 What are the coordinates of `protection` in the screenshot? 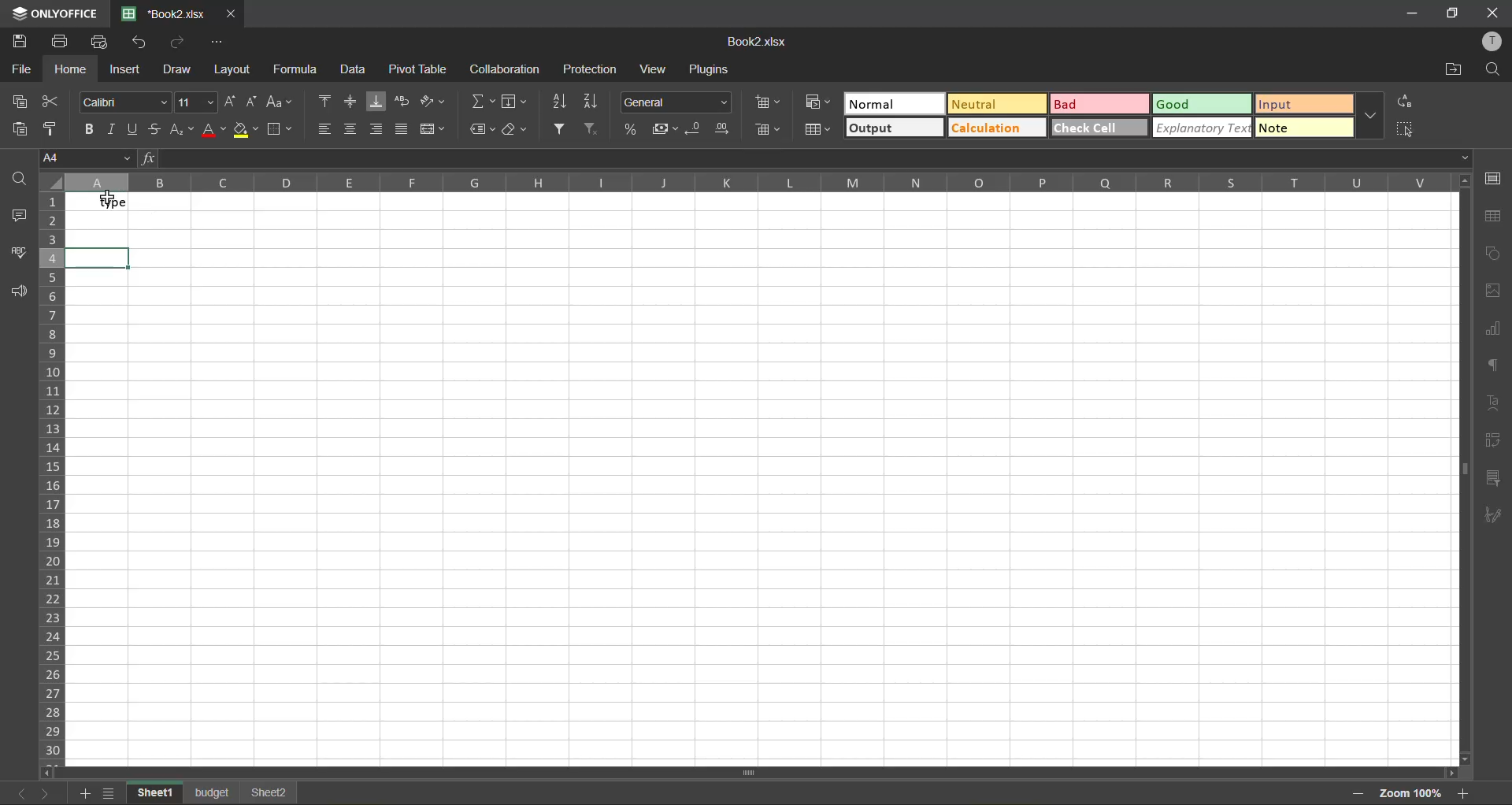 It's located at (594, 70).